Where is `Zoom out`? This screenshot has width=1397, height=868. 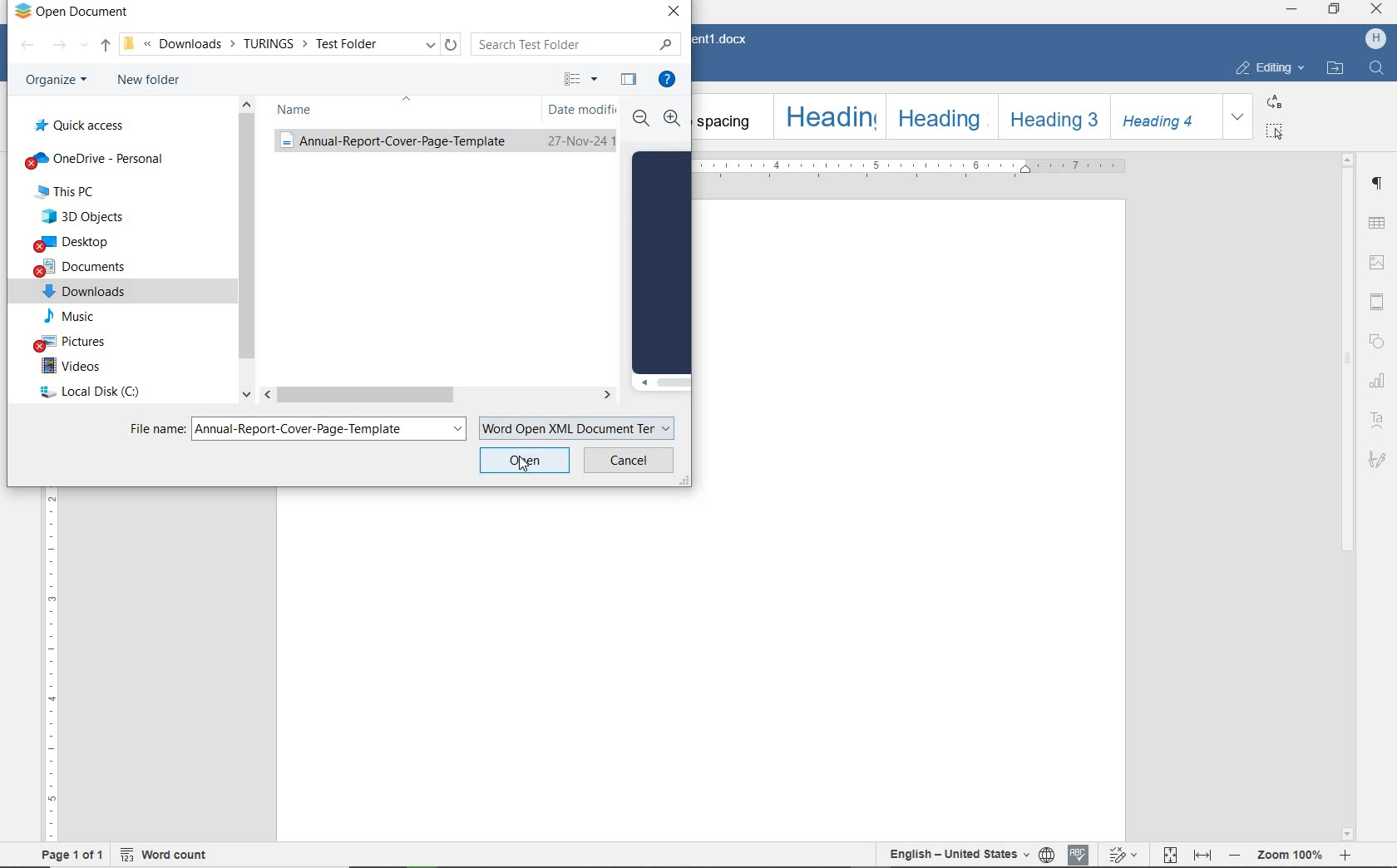 Zoom out is located at coordinates (642, 121).